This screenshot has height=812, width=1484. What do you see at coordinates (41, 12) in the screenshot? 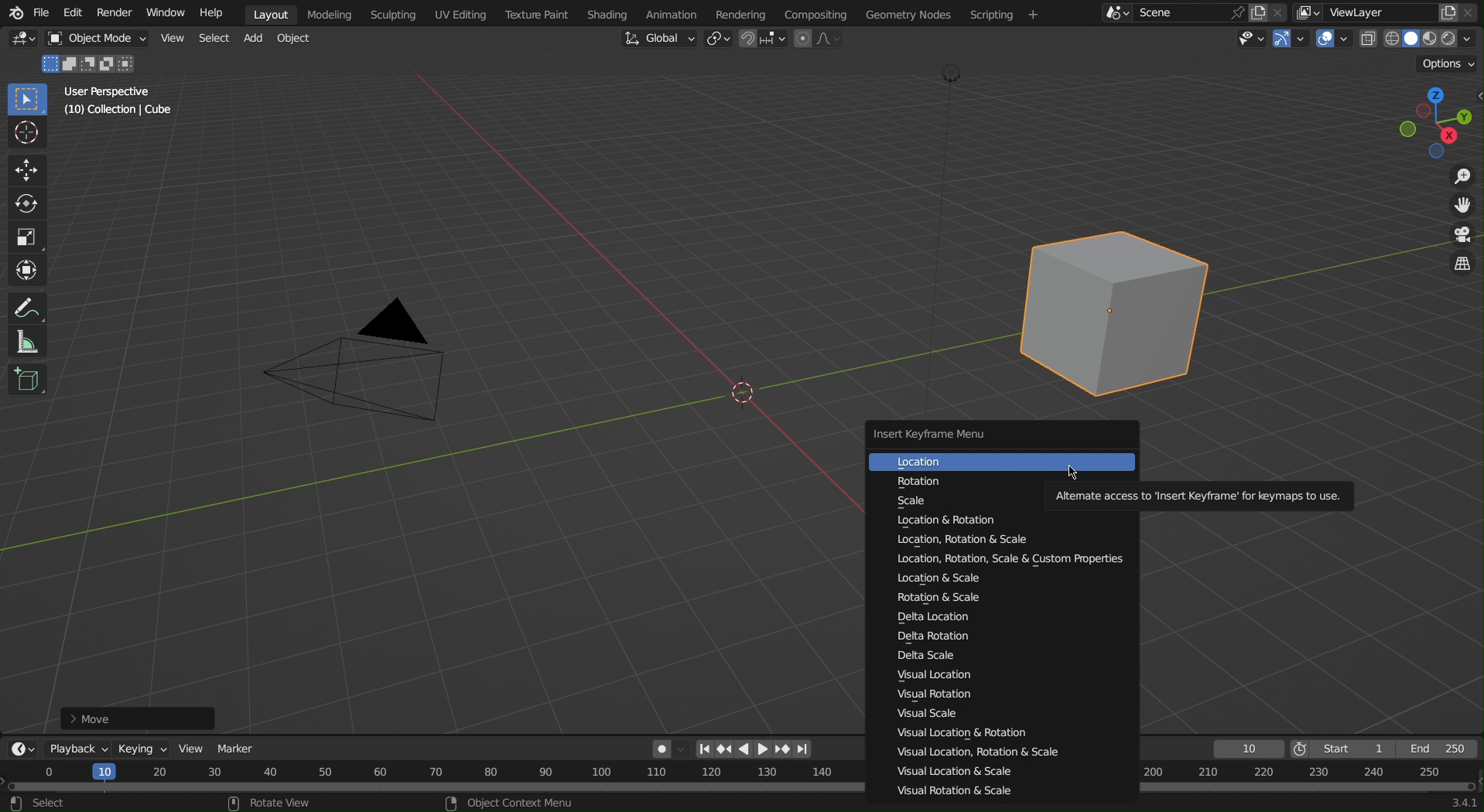
I see `File` at bounding box center [41, 12].